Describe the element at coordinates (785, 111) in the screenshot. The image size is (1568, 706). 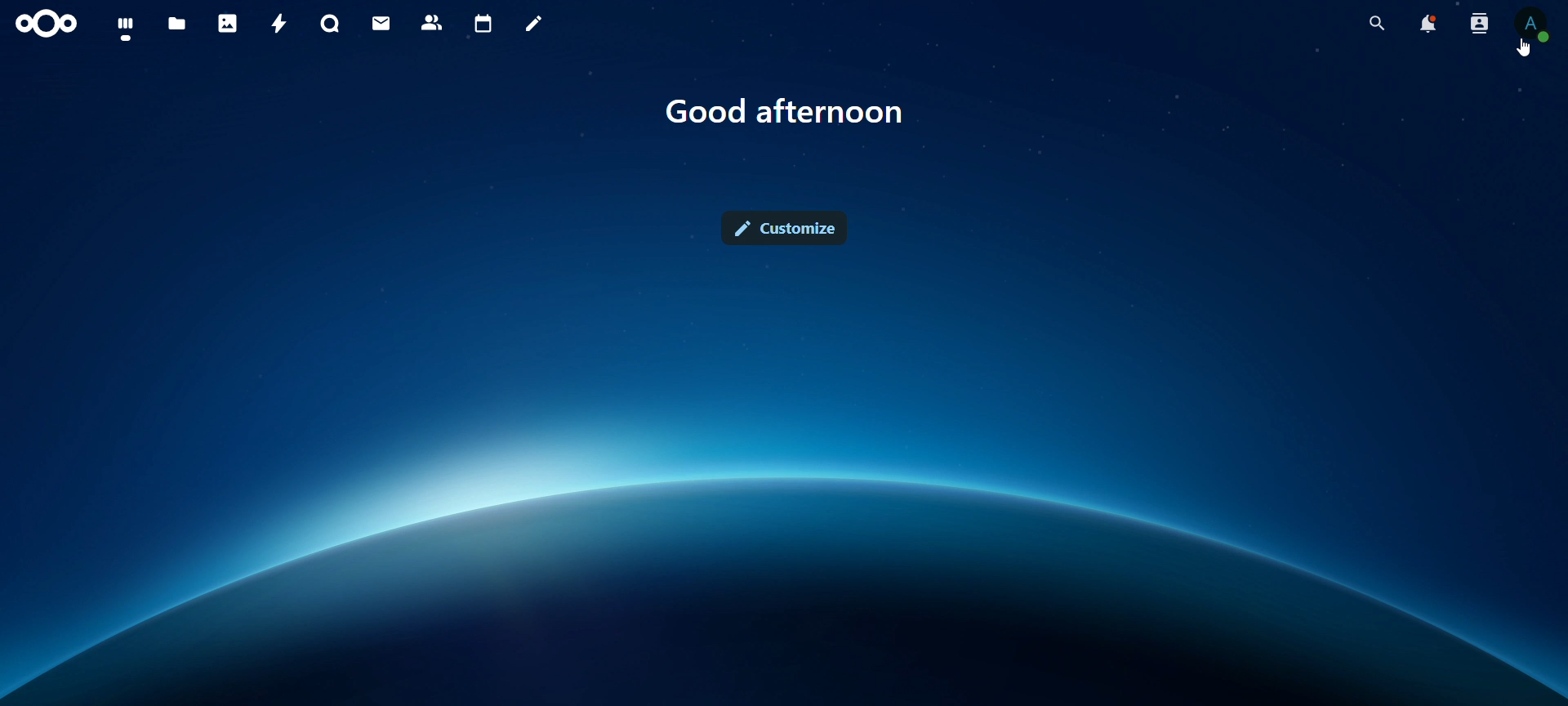
I see `text` at that location.